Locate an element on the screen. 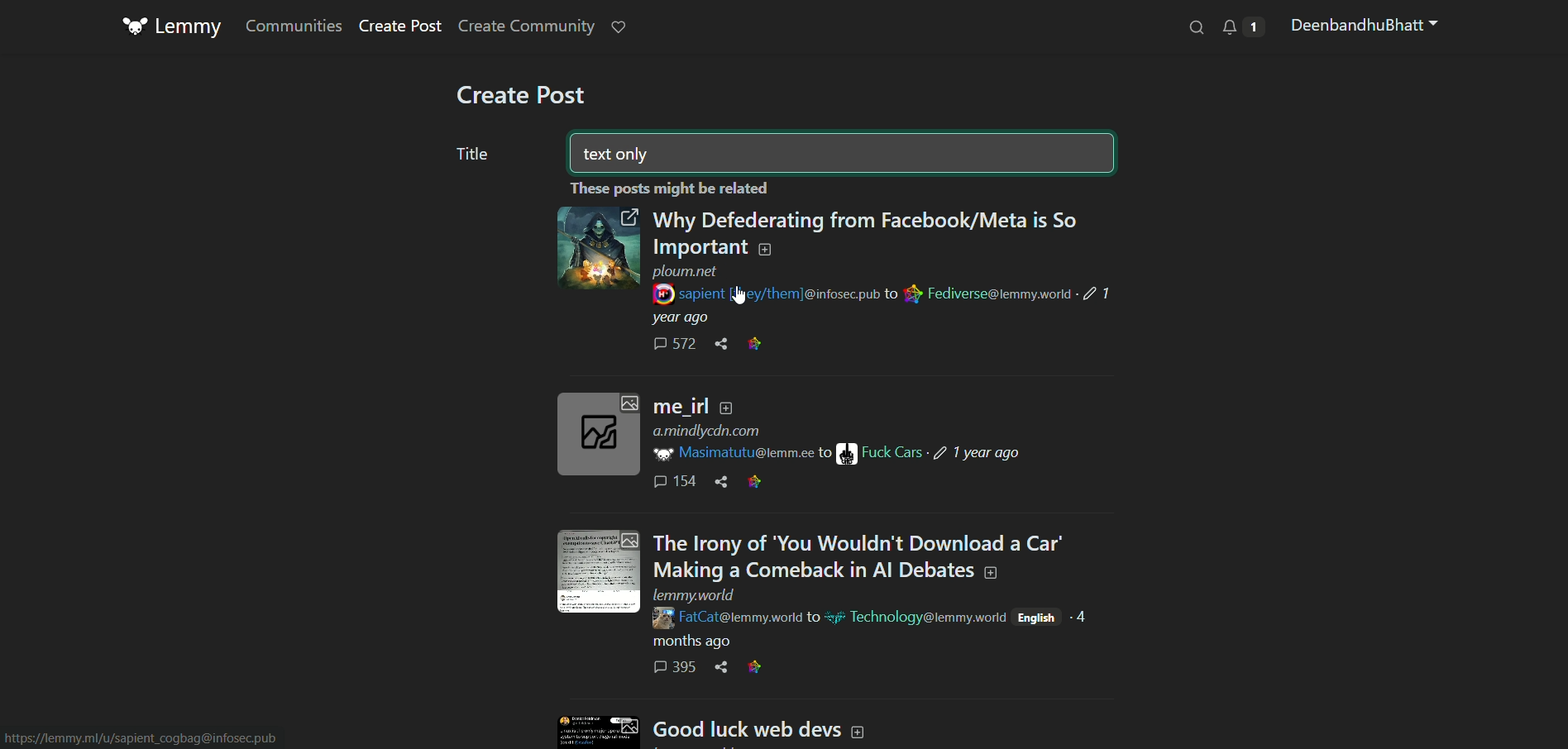  Indicates post time is located at coordinates (691, 642).